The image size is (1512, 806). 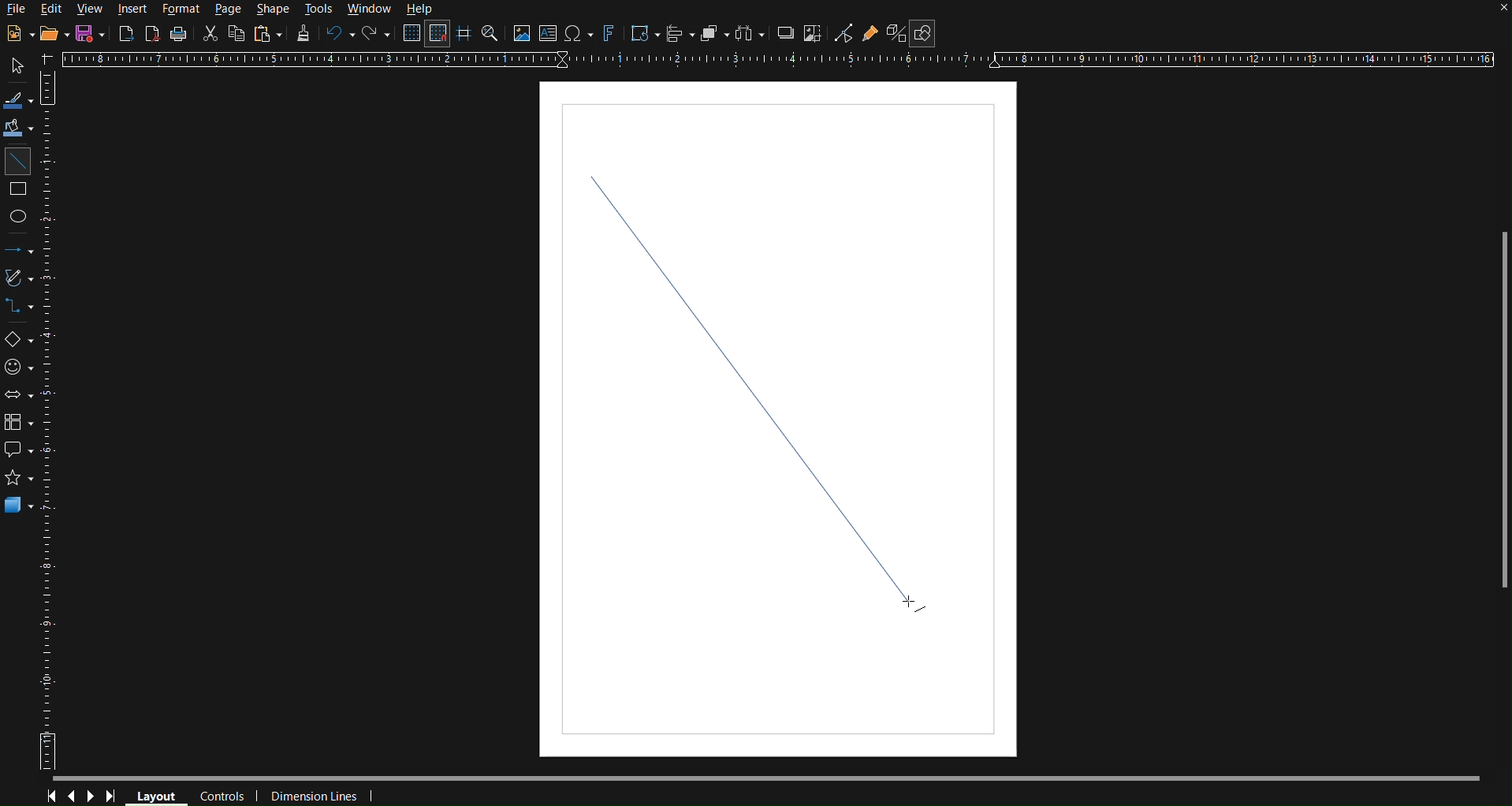 I want to click on Arrange, so click(x=717, y=33).